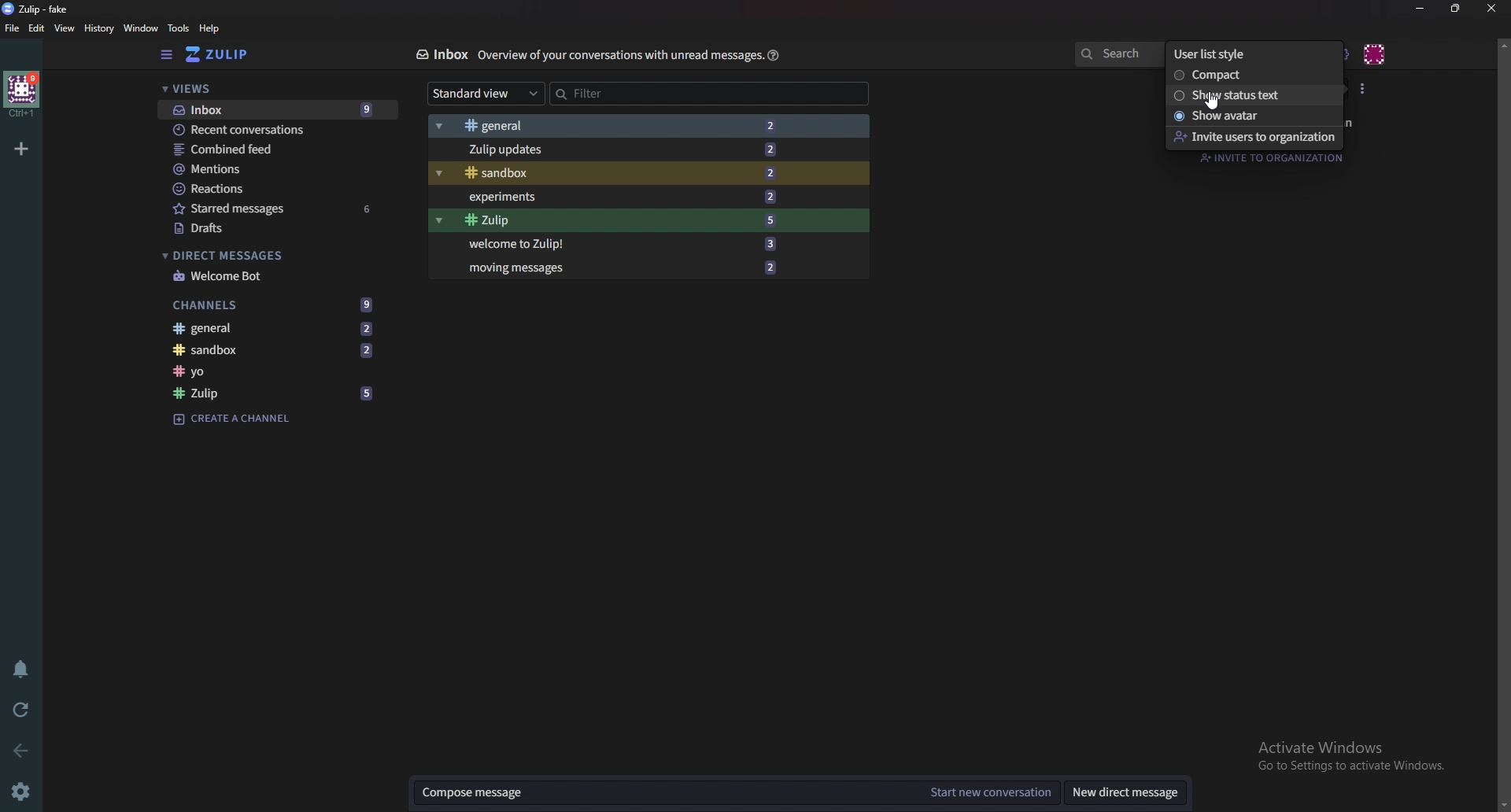 This screenshot has width=1511, height=812. Describe the element at coordinates (13, 28) in the screenshot. I see `File` at that location.